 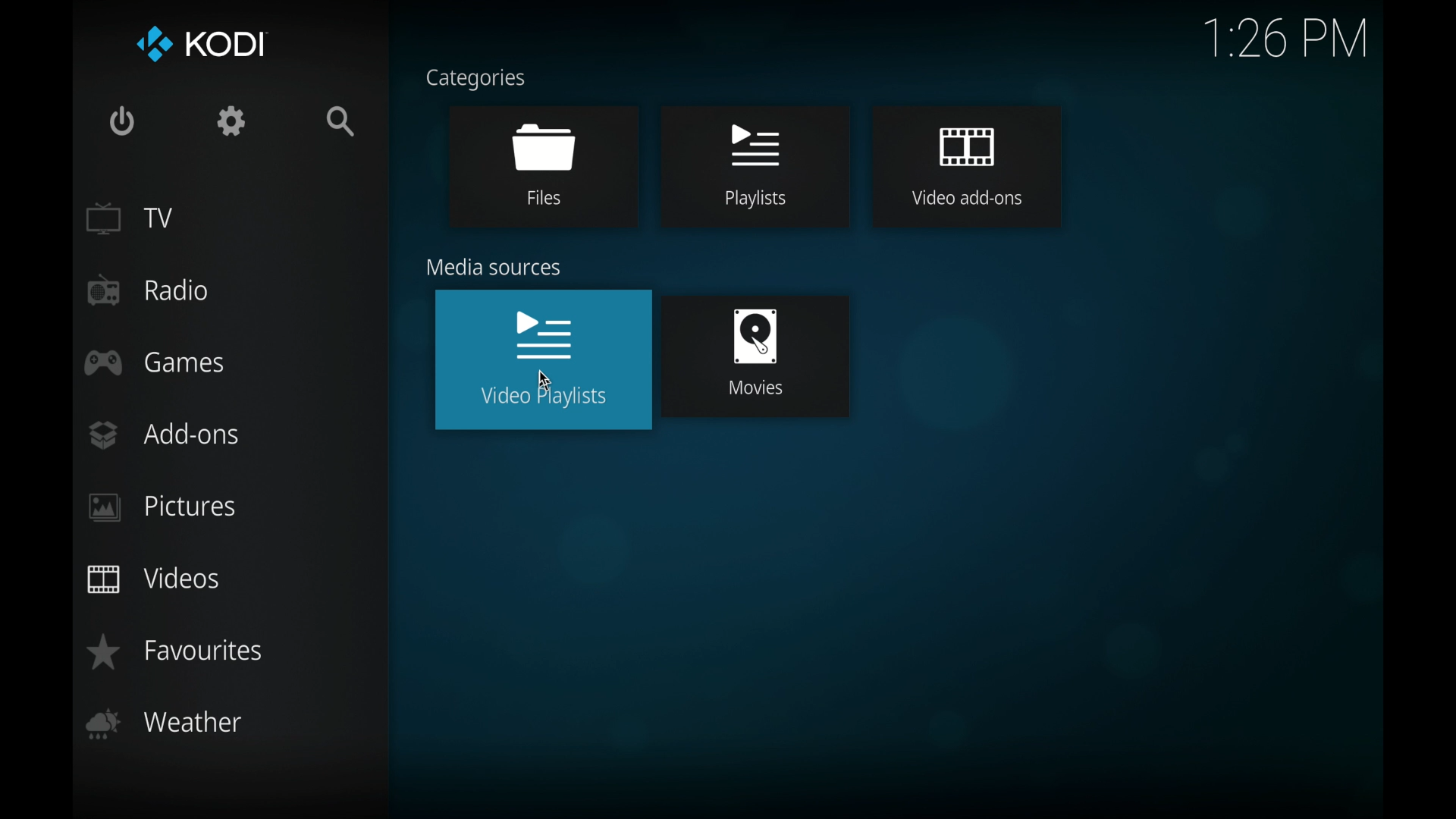 What do you see at coordinates (965, 166) in the screenshot?
I see `video add-ons` at bounding box center [965, 166].